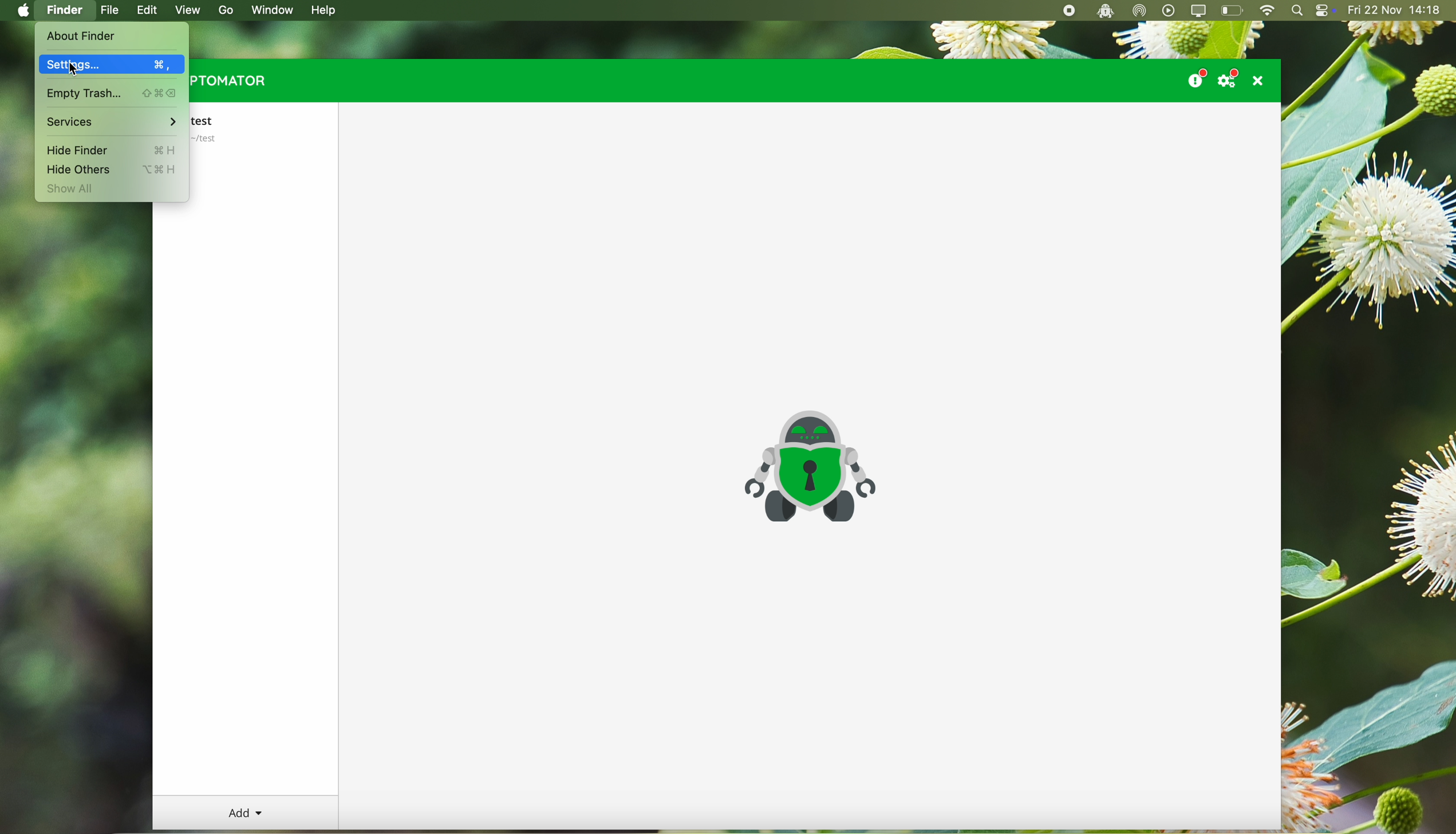 The height and width of the screenshot is (834, 1456). What do you see at coordinates (246, 813) in the screenshot?
I see `add` at bounding box center [246, 813].